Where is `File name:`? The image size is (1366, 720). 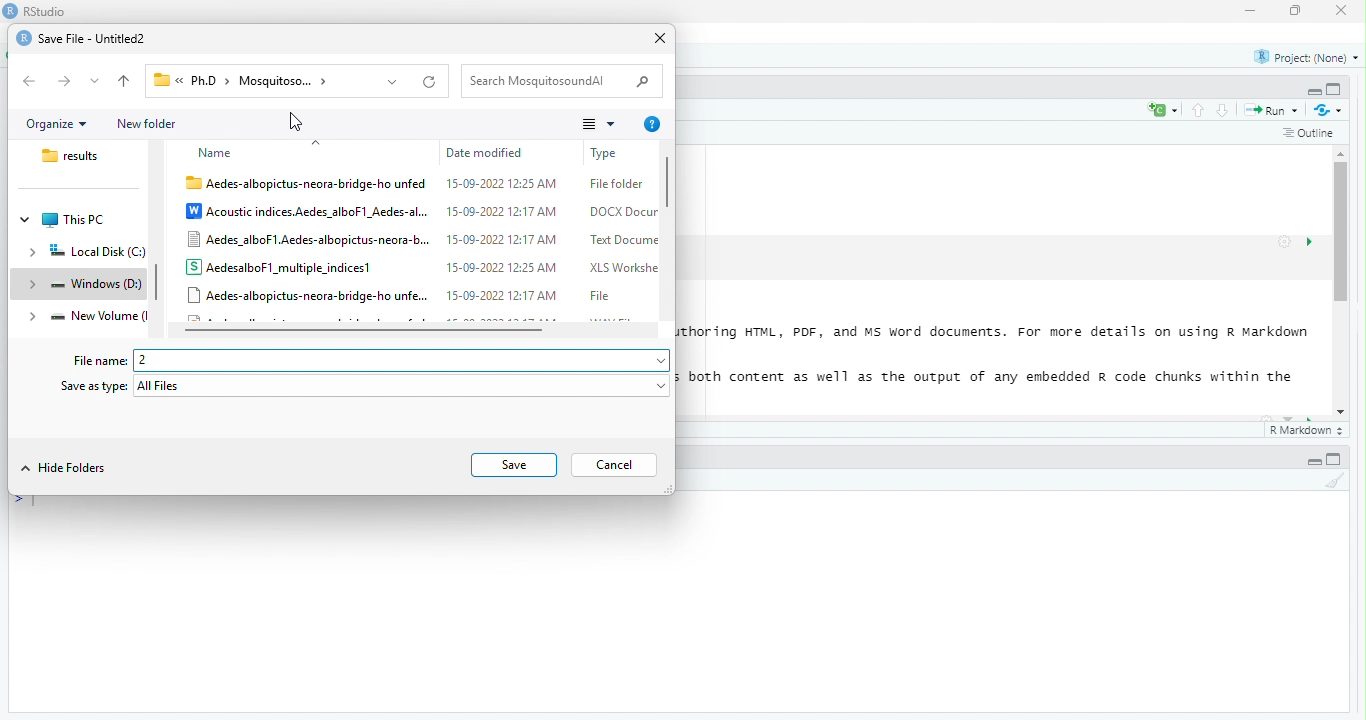
File name: is located at coordinates (101, 362).